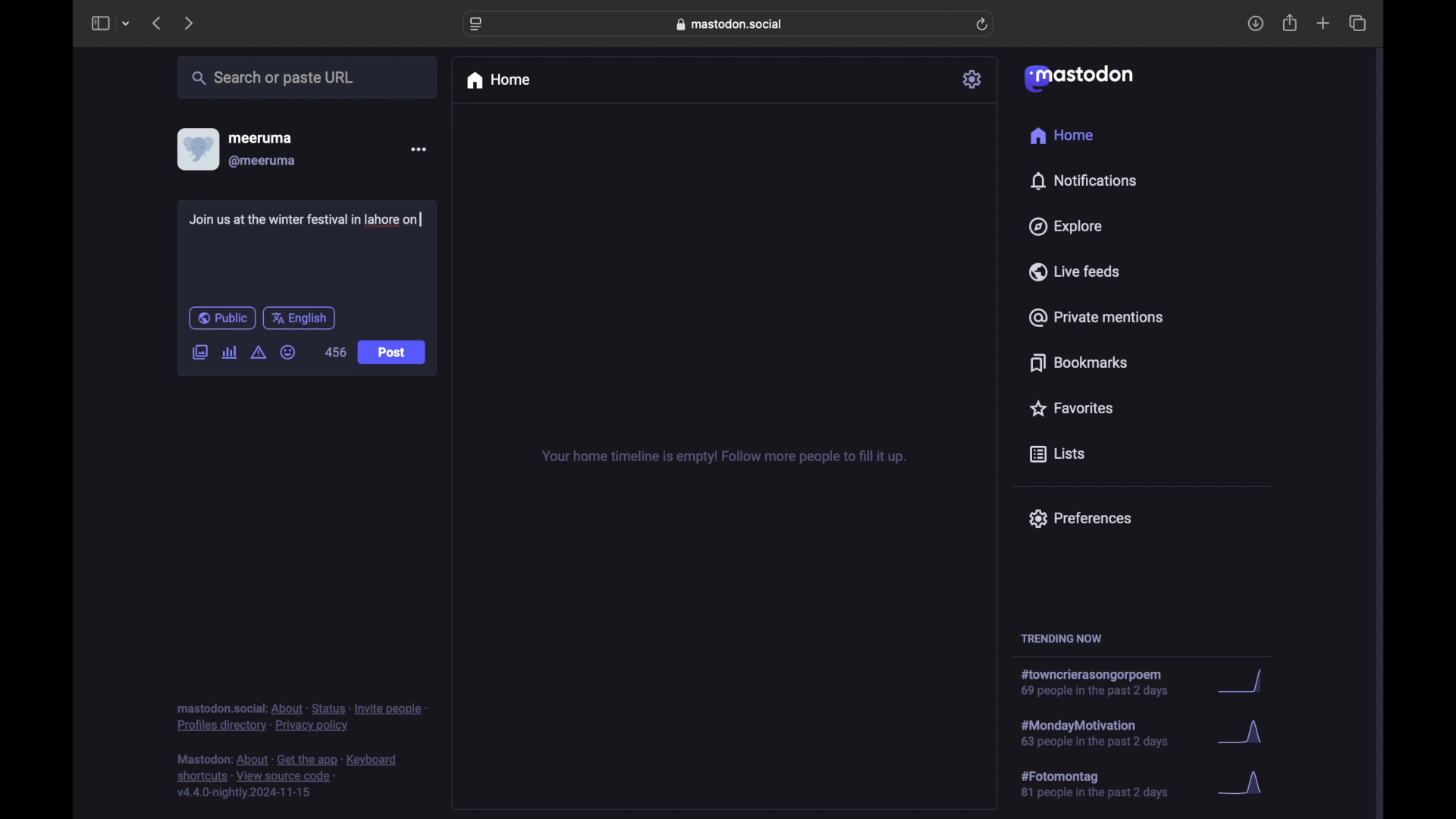 The width and height of the screenshot is (1456, 819). Describe the element at coordinates (1083, 180) in the screenshot. I see `notifications` at that location.